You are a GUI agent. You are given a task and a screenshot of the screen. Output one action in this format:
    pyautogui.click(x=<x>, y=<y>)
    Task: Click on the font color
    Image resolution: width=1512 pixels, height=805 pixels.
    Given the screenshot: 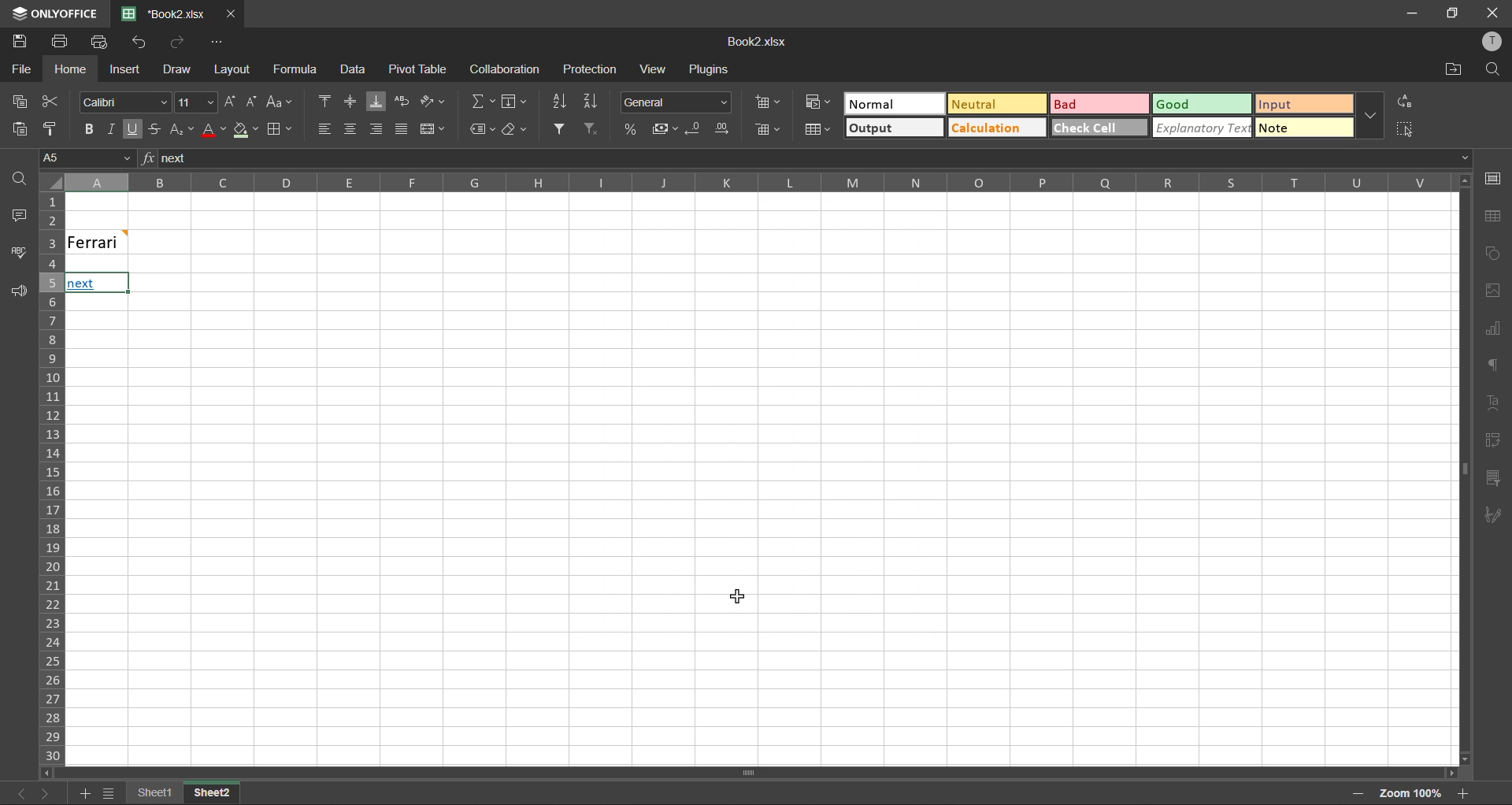 What is the action you would take?
    pyautogui.click(x=209, y=132)
    